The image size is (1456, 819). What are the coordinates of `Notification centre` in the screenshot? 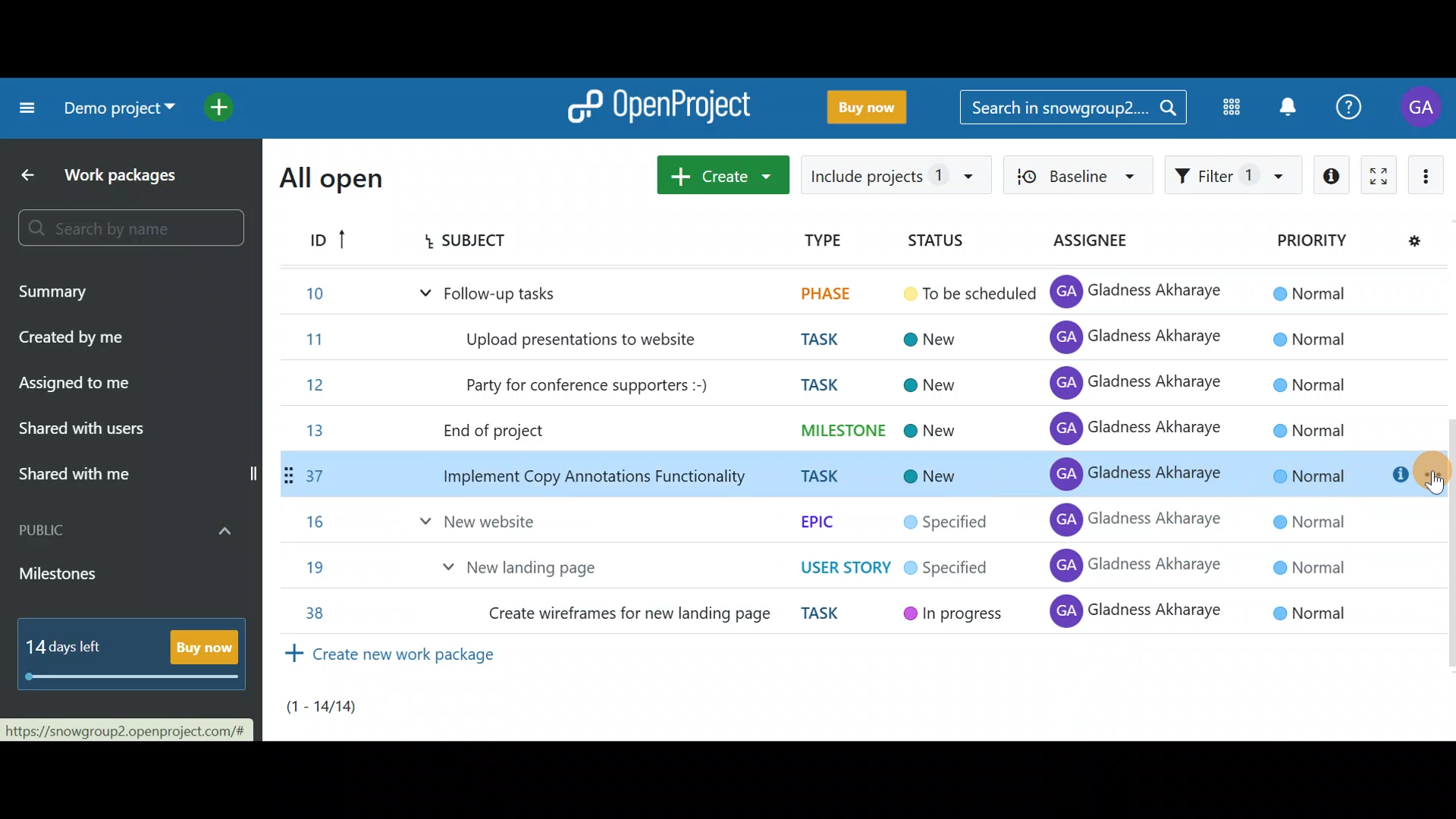 It's located at (1287, 108).